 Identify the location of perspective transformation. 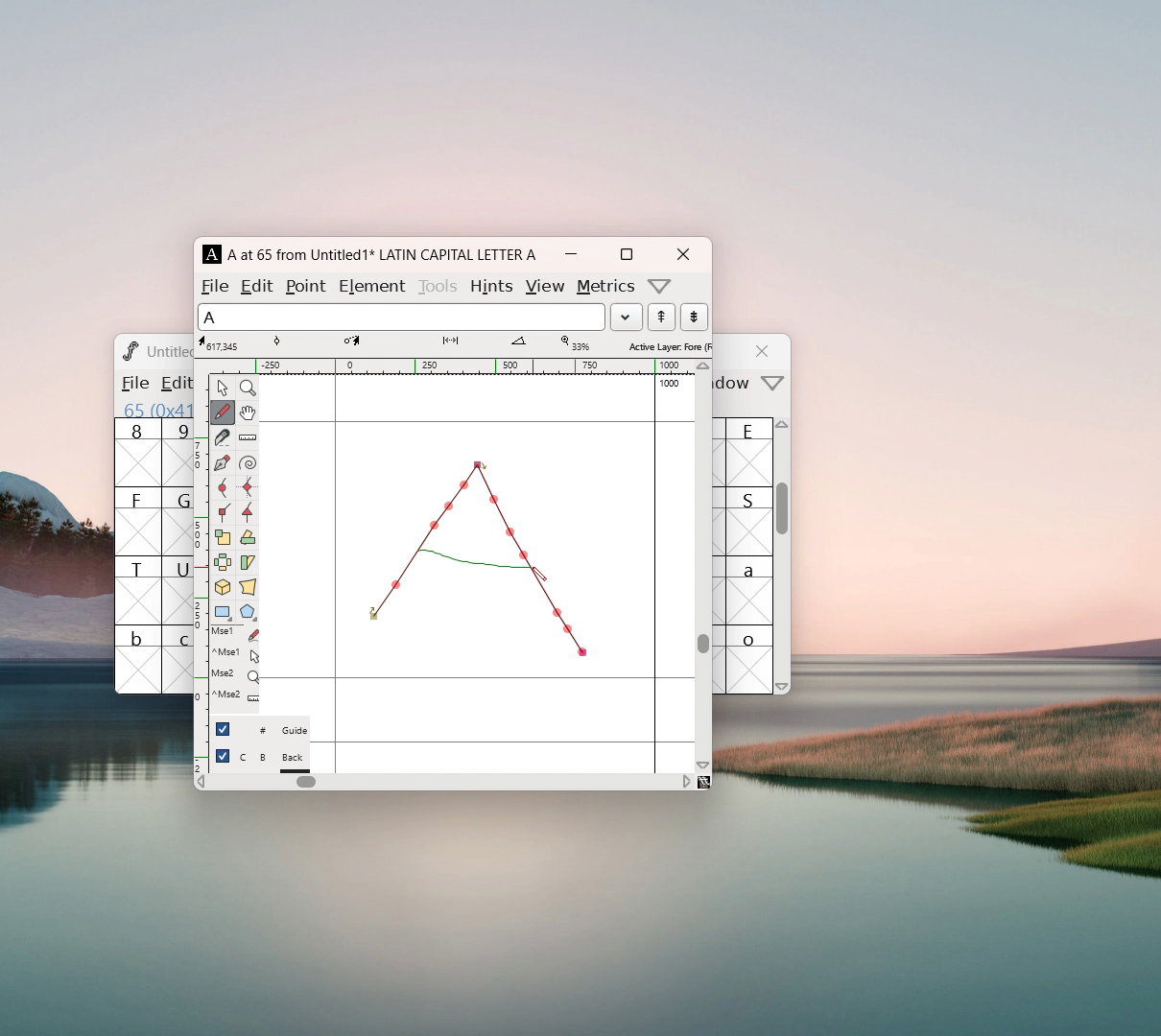
(248, 589).